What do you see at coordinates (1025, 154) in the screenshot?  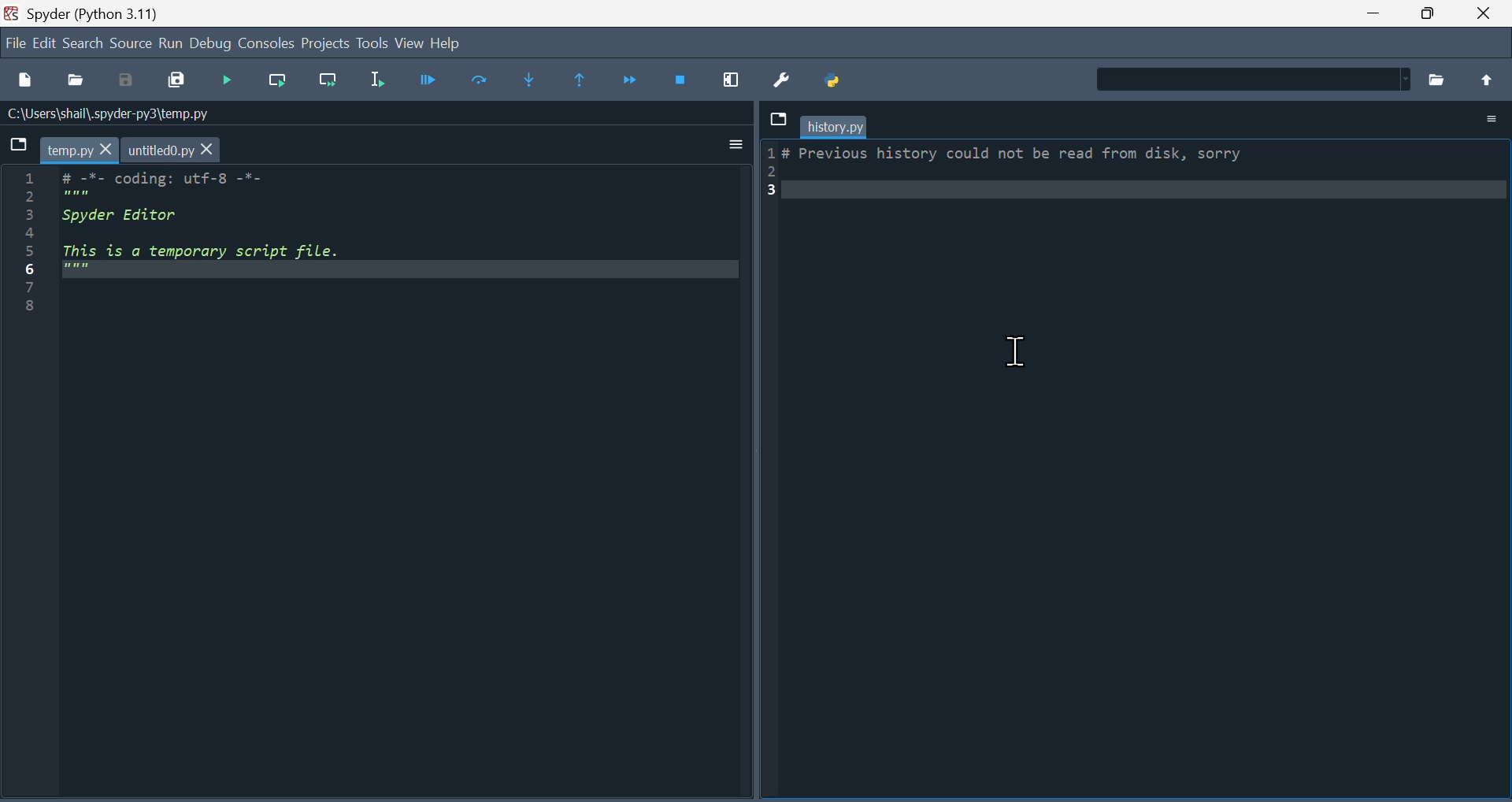 I see `LF FPEVIOUS Nistory could not De read Trom daisk, sorry` at bounding box center [1025, 154].